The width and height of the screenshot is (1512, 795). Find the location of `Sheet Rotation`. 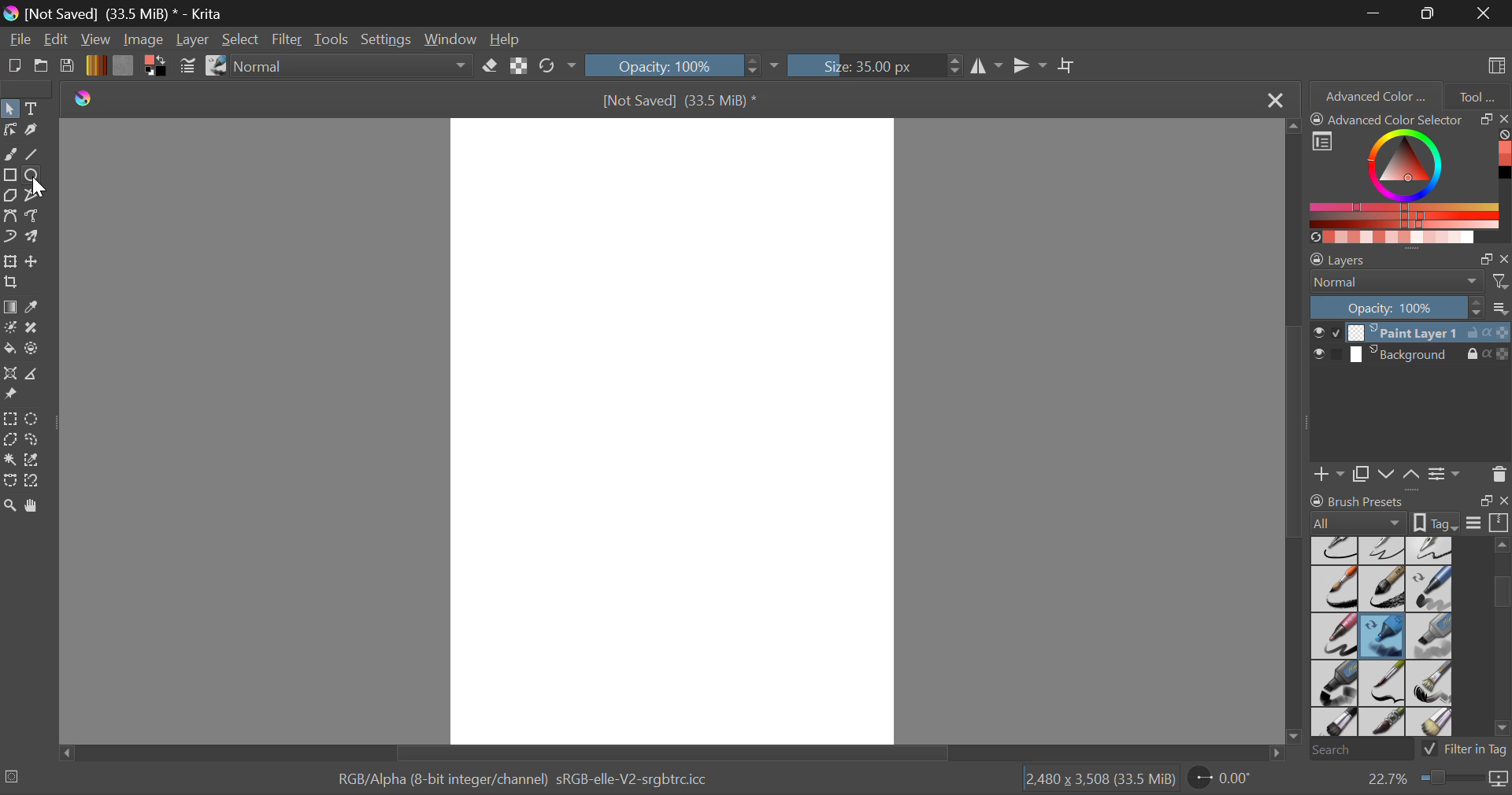

Sheet Rotation is located at coordinates (1228, 778).